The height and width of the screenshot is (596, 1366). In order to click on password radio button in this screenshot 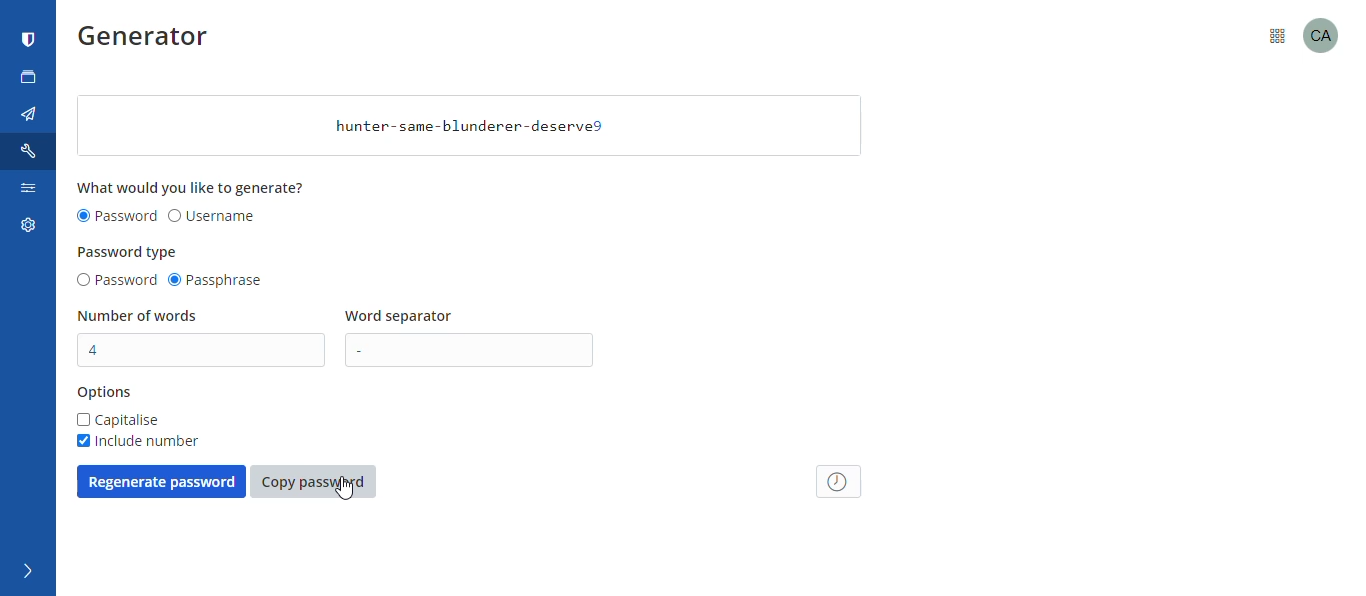, I will do `click(117, 217)`.